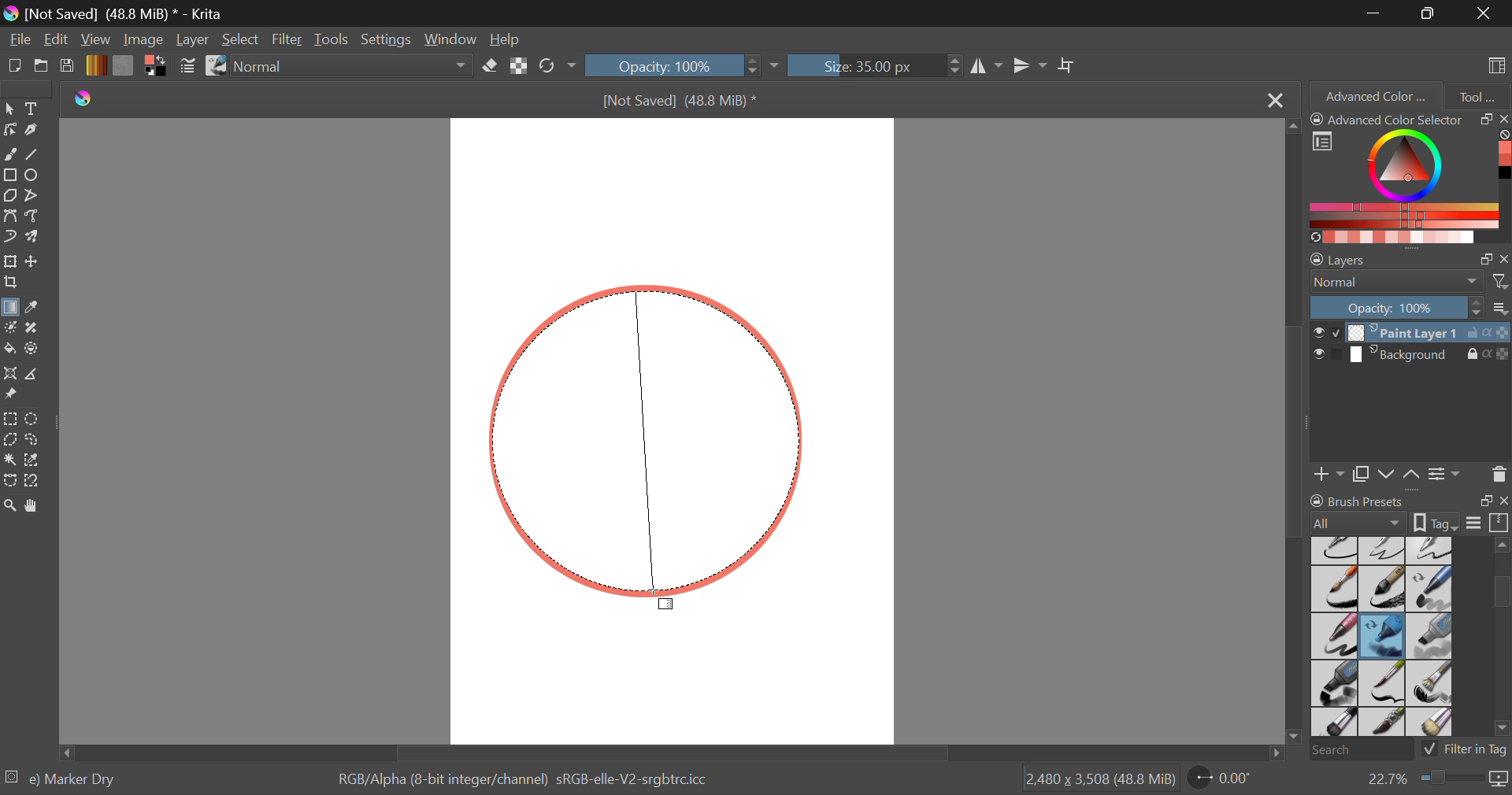 The image size is (1512, 795). Describe the element at coordinates (1384, 723) in the screenshot. I see `Bristles-4 Glaze` at that location.